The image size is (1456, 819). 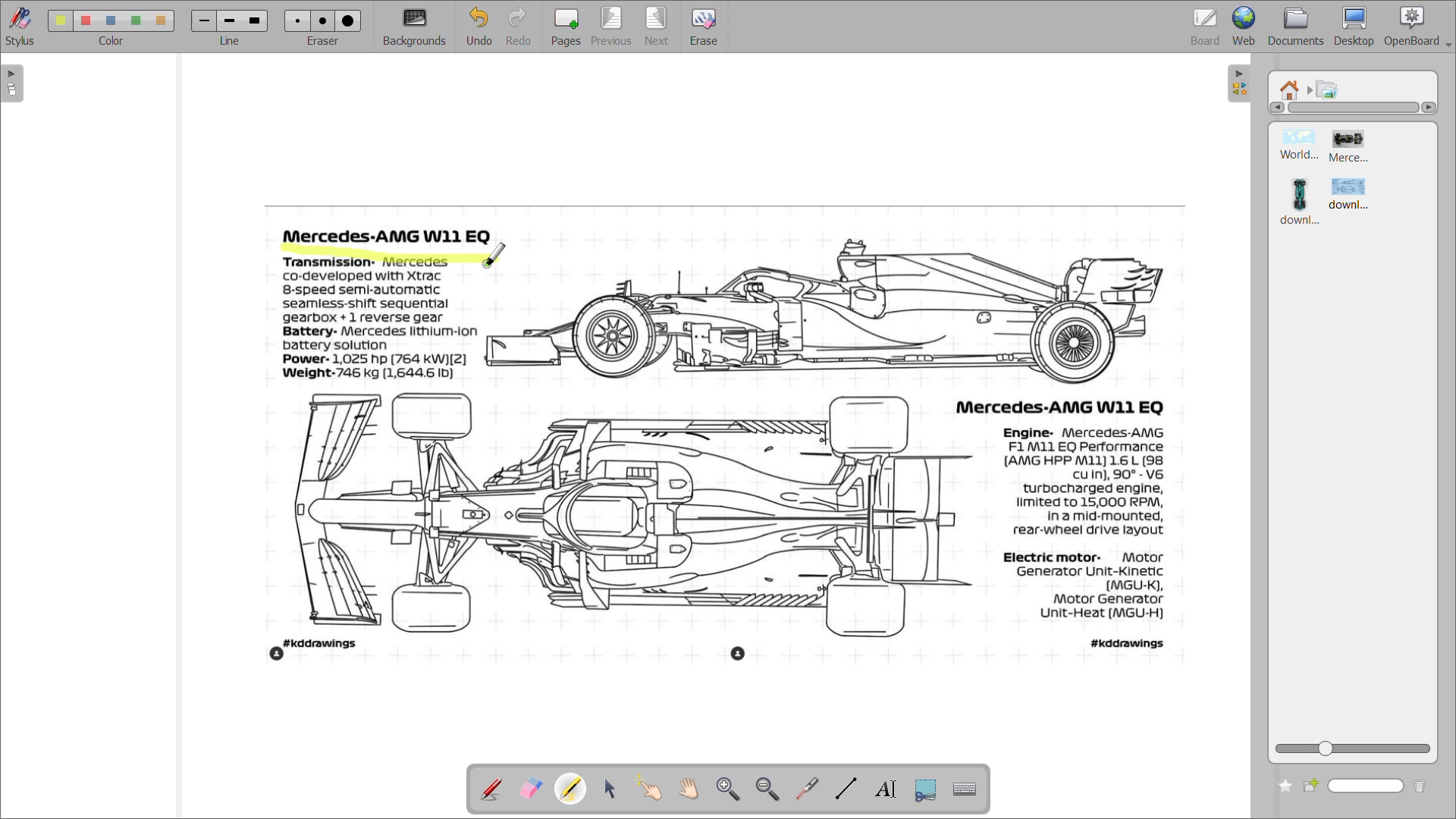 What do you see at coordinates (324, 20) in the screenshot?
I see `eraser 2` at bounding box center [324, 20].